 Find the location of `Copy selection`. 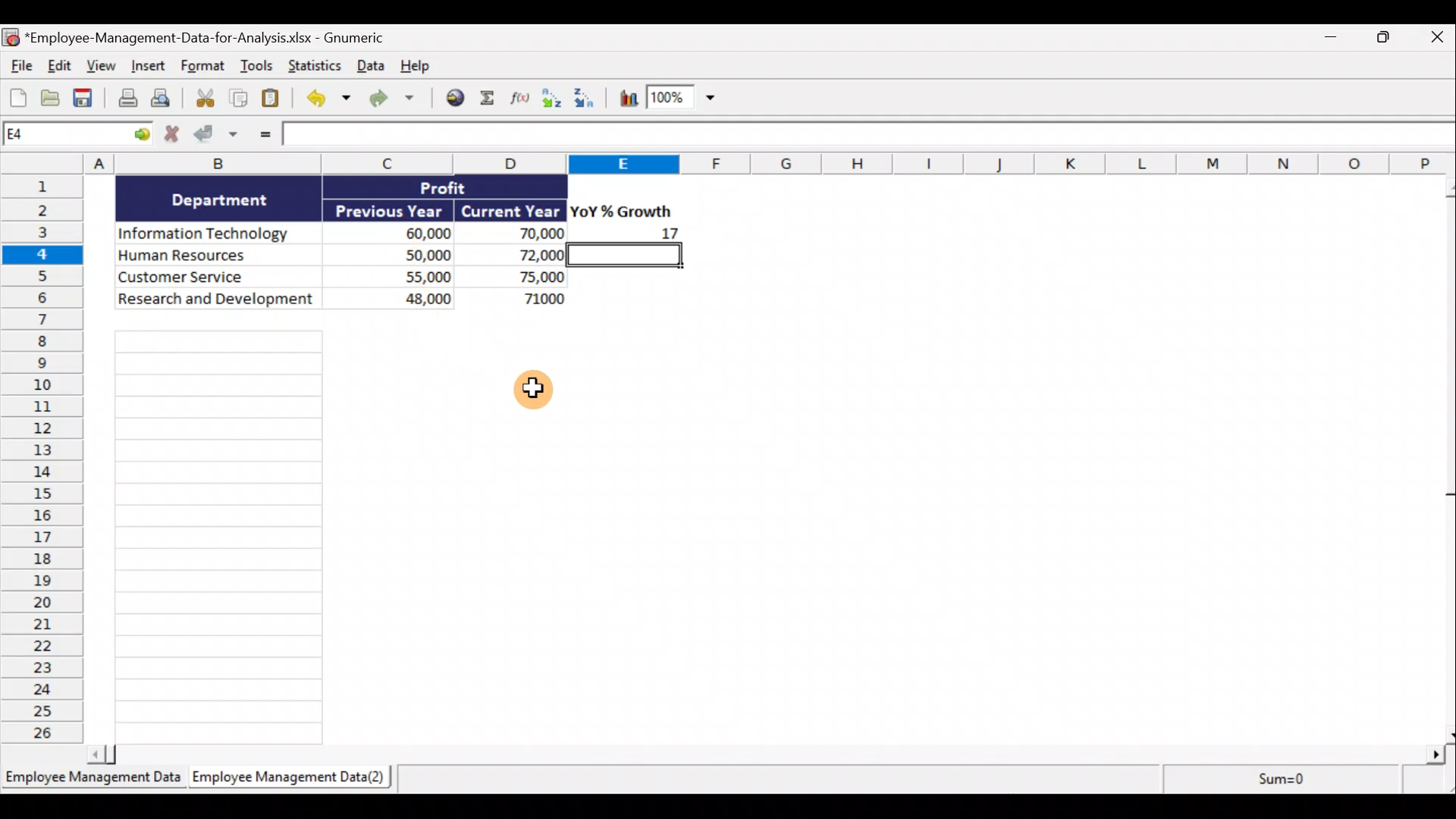

Copy selection is located at coordinates (239, 99).